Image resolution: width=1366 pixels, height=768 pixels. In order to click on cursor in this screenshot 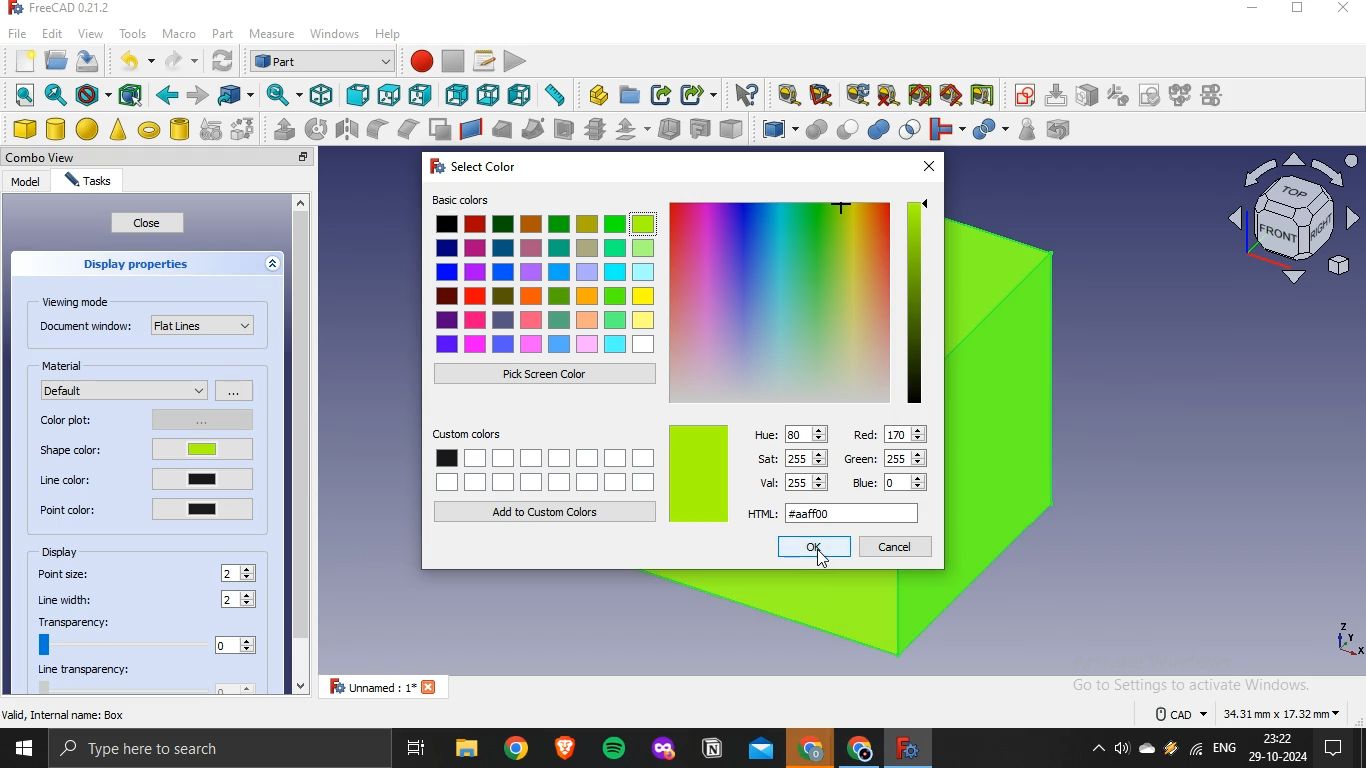, I will do `click(823, 557)`.